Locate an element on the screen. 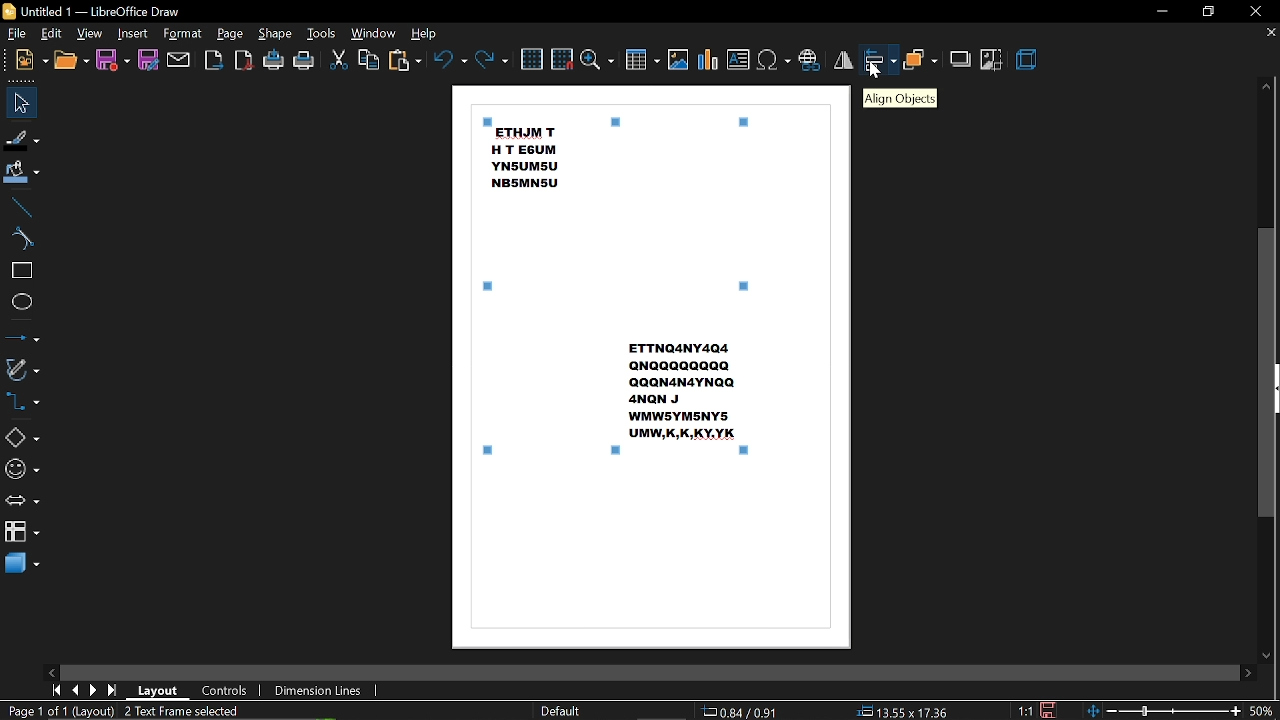 The height and width of the screenshot is (720, 1280). dimension lines is located at coordinates (318, 690).